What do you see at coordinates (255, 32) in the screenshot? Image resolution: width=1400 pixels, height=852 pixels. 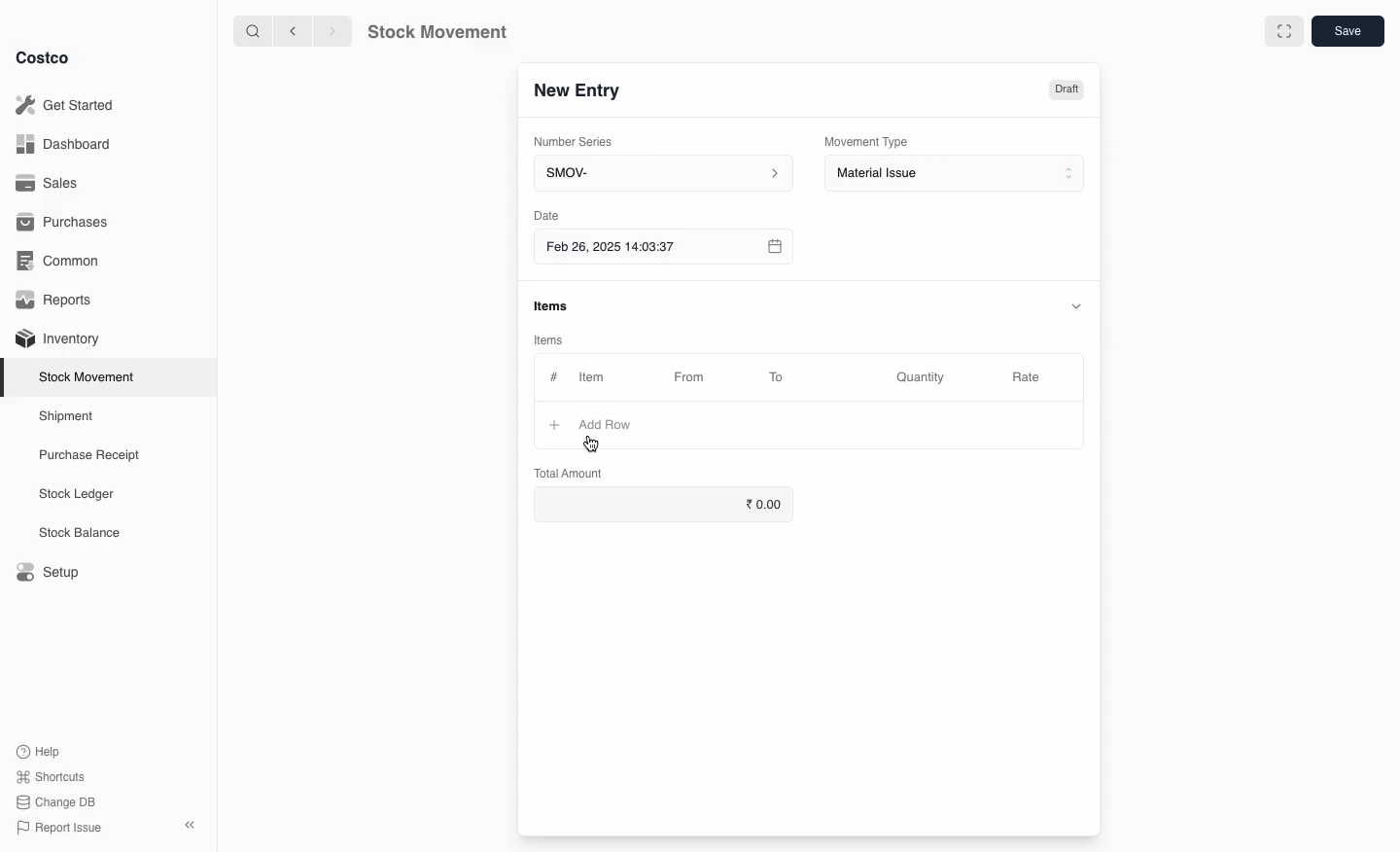 I see `search` at bounding box center [255, 32].